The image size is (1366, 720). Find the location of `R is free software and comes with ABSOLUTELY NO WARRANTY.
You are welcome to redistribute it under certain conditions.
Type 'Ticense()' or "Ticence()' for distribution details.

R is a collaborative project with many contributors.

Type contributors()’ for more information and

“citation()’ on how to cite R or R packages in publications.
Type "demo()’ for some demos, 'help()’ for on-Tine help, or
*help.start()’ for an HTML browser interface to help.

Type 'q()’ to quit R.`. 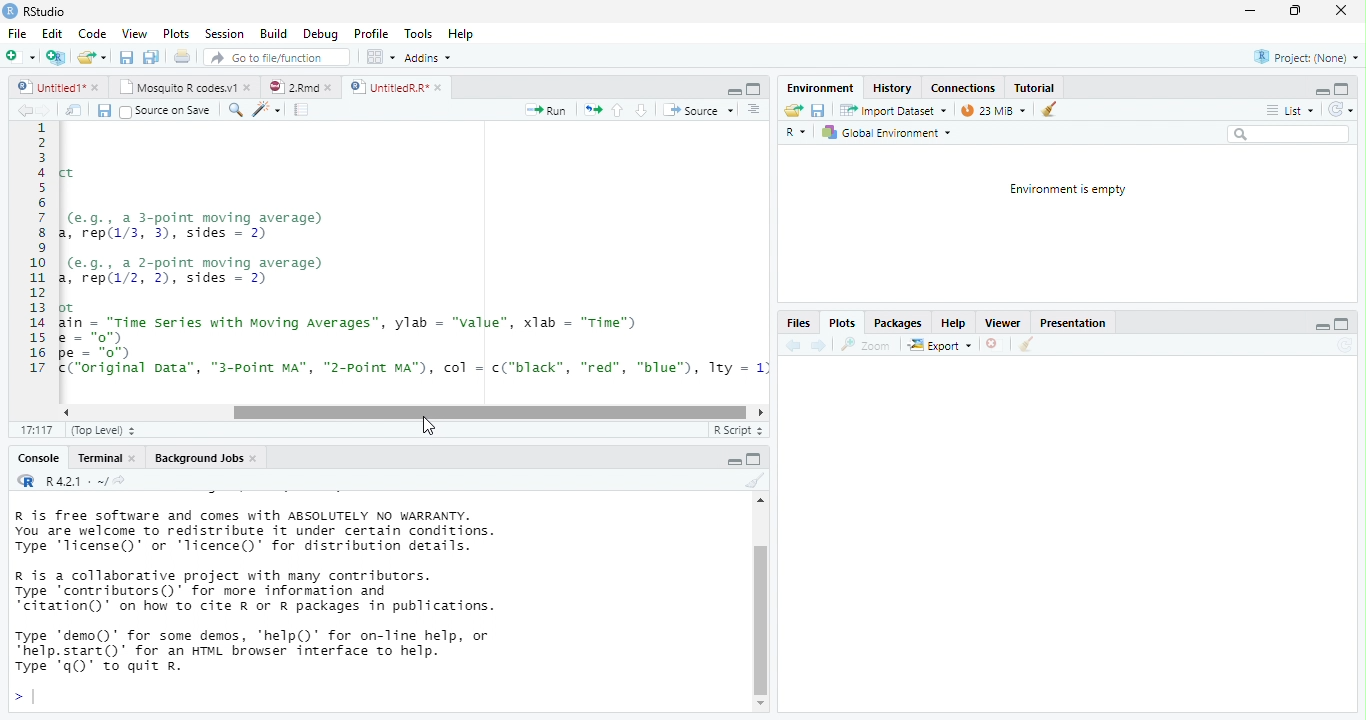

R is free software and comes with ABSOLUTELY NO WARRANTY.
You are welcome to redistribute it under certain conditions.
Type 'Ticense()' or "Ticence()' for distribution details.

R is a collaborative project with many contributors.

Type contributors()’ for more information and

“citation()’ on how to cite R or R packages in publications.
Type "demo()’ for some demos, 'help()’ for on-Tine help, or
*help.start()’ for an HTML browser interface to help.

Type 'q()’ to quit R. is located at coordinates (340, 591).